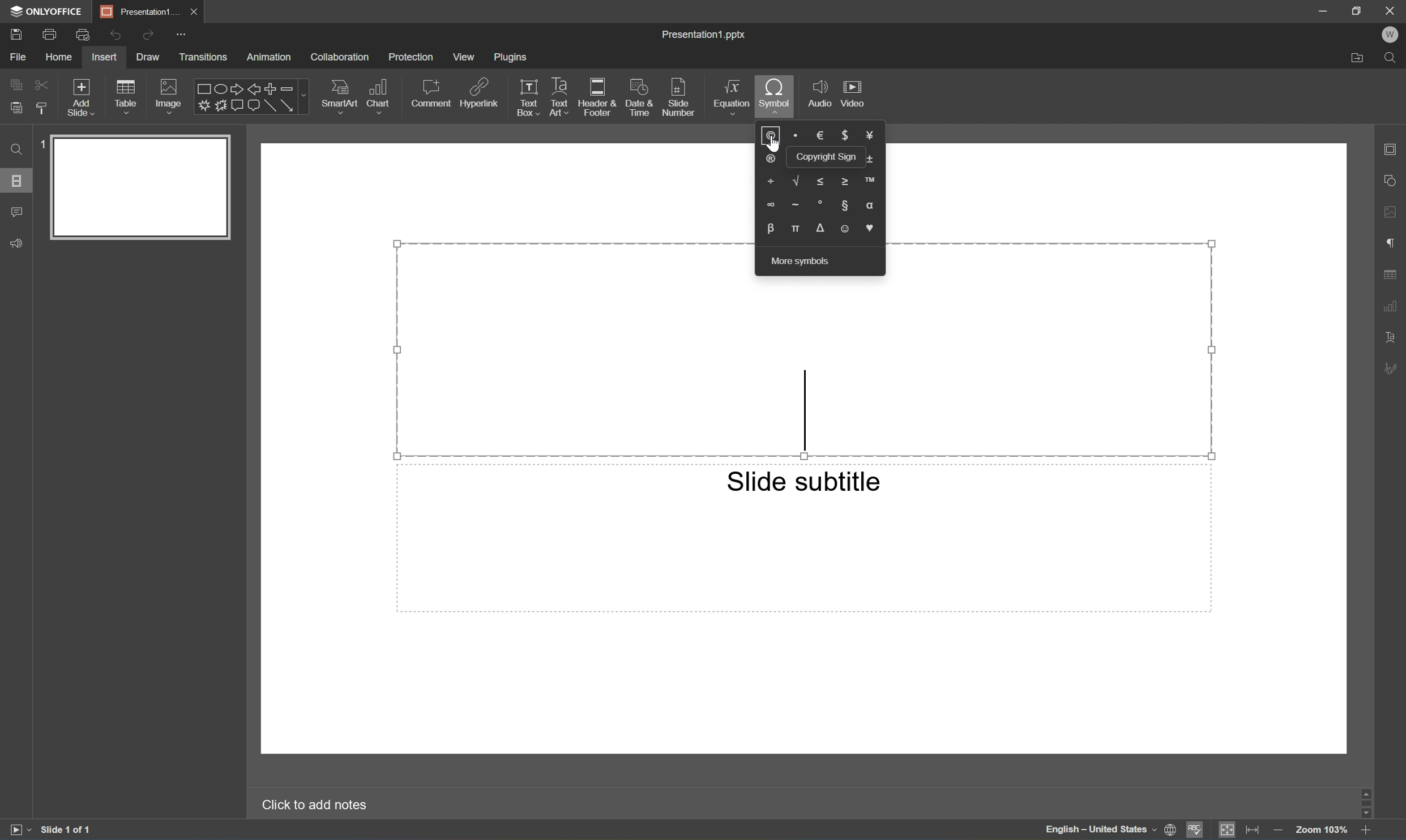  I want to click on SmartArt, so click(342, 96).